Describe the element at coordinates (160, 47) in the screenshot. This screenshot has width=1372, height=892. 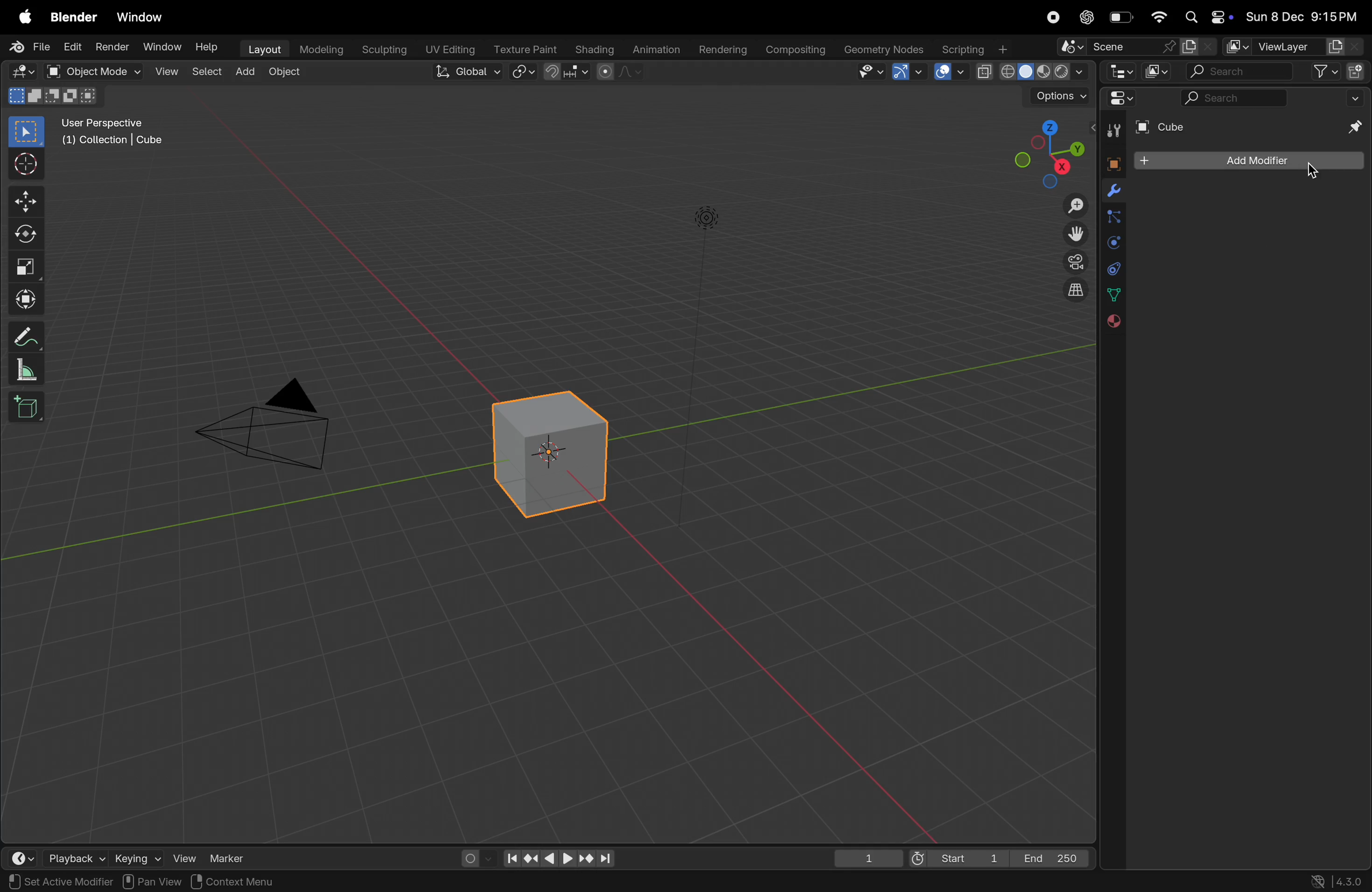
I see `window` at that location.